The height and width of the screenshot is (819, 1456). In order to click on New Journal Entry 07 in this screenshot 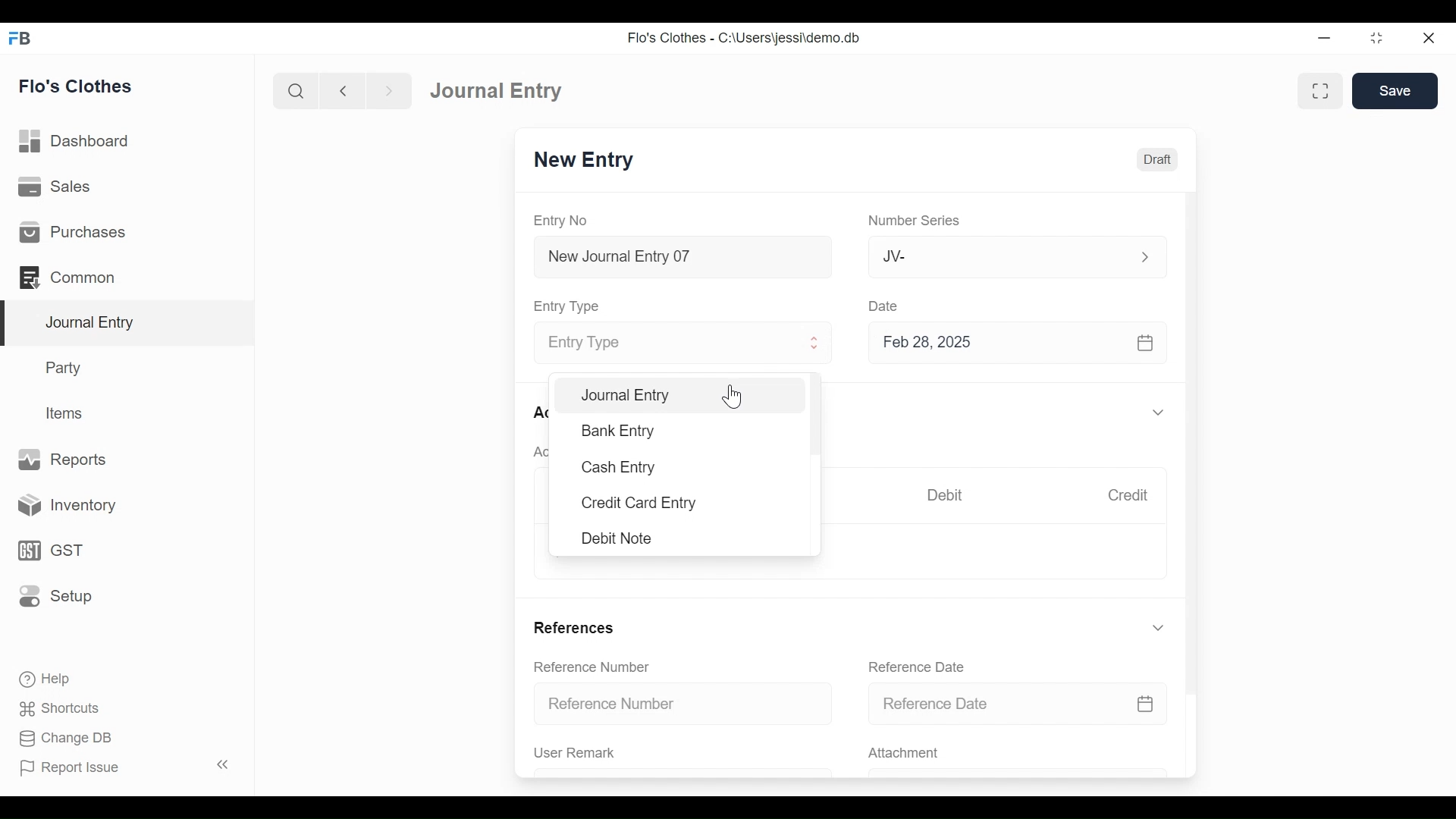, I will do `click(684, 259)`.